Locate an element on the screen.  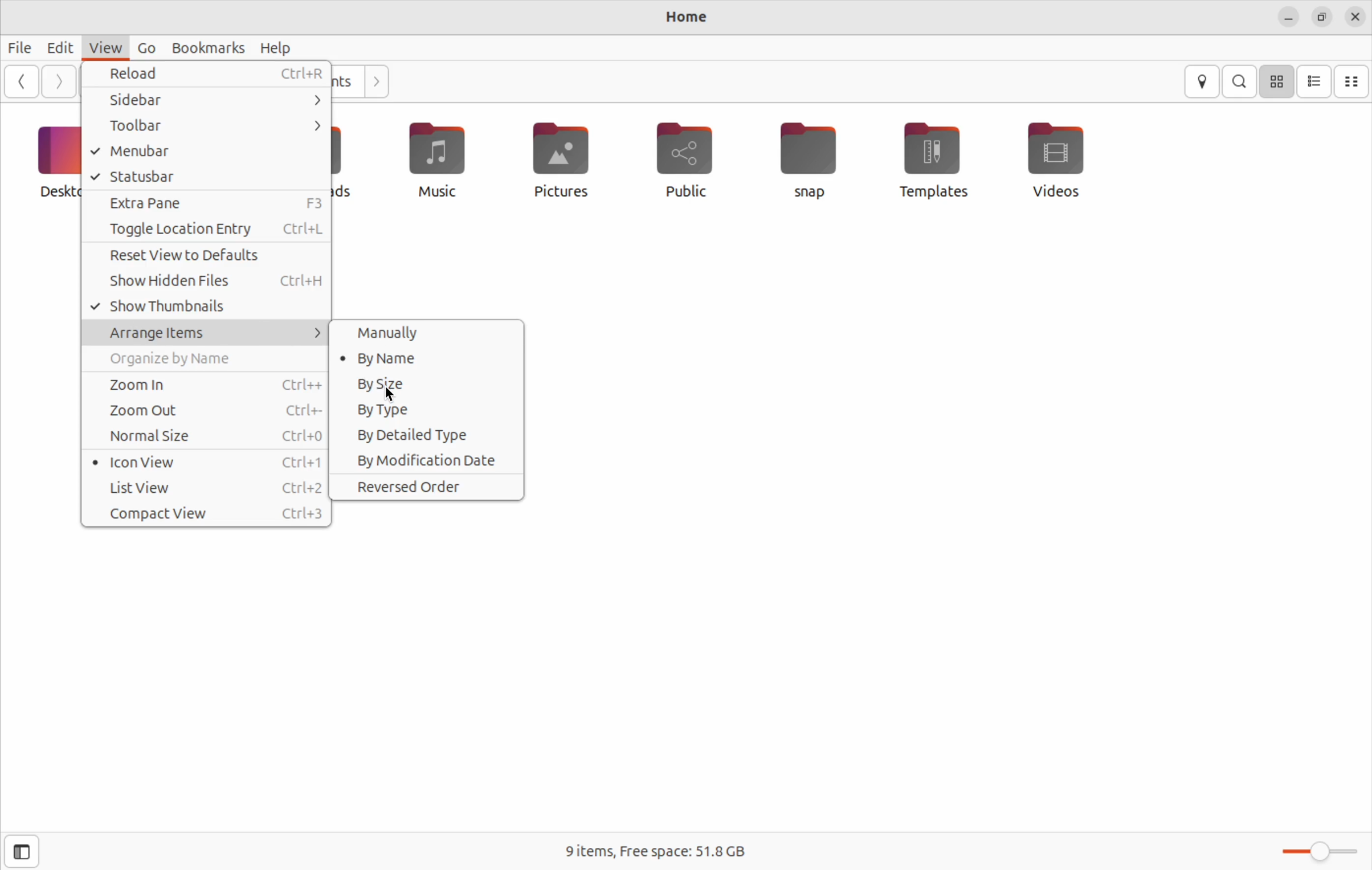
stauts bar is located at coordinates (205, 178).